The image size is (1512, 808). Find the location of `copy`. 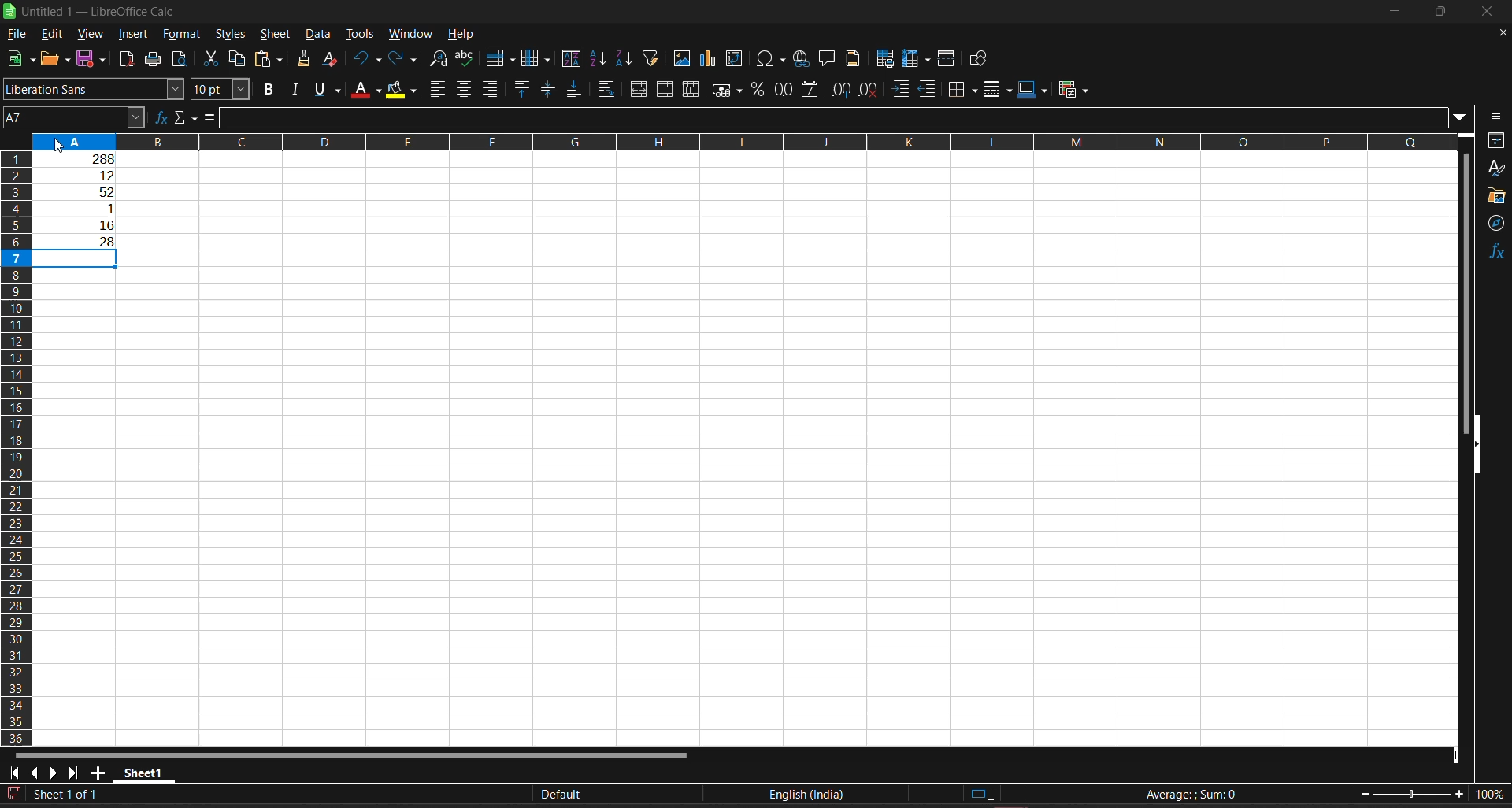

copy is located at coordinates (238, 59).